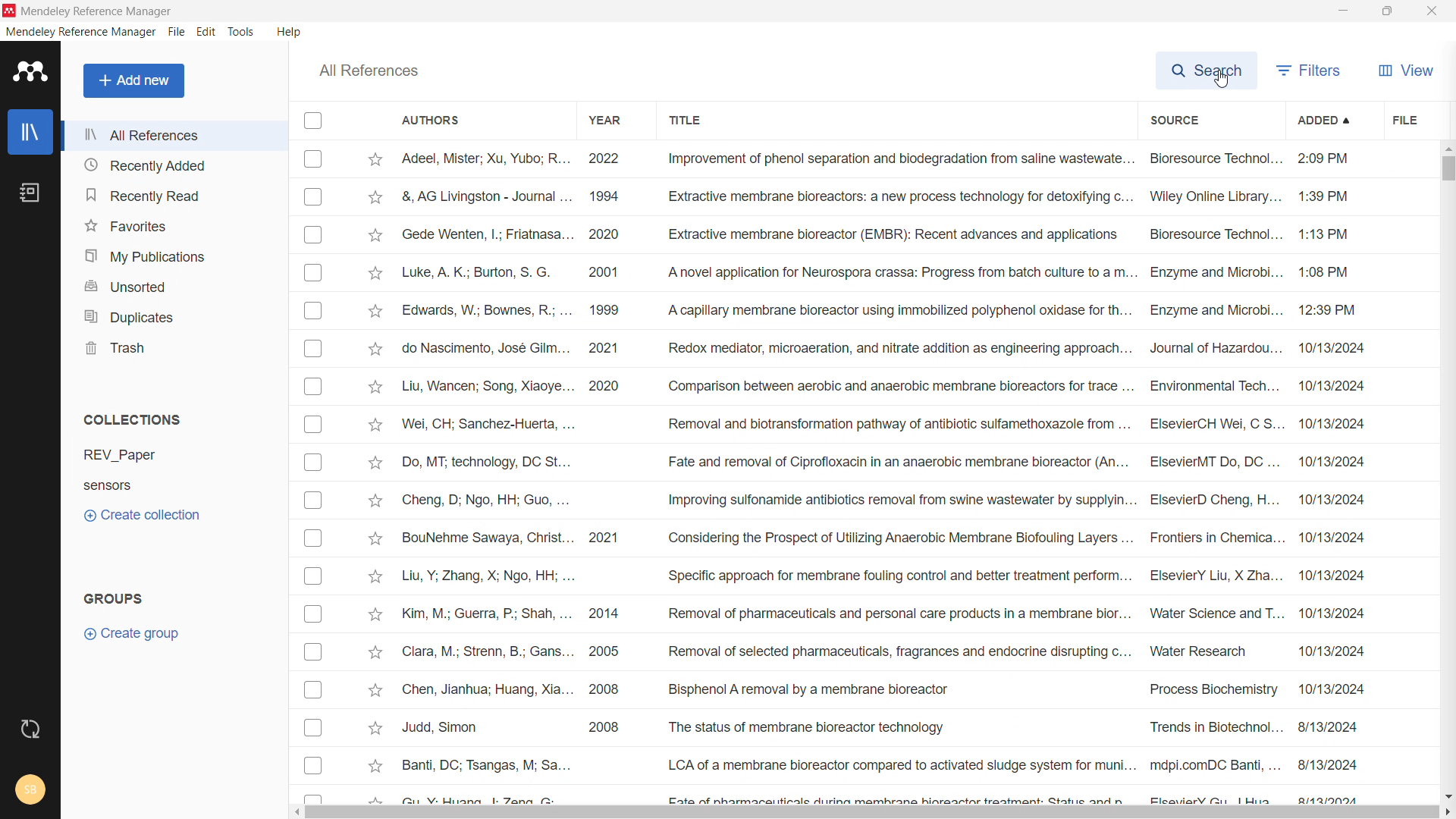 Image resolution: width=1456 pixels, height=819 pixels. Describe the element at coordinates (1219, 82) in the screenshot. I see `cursor` at that location.